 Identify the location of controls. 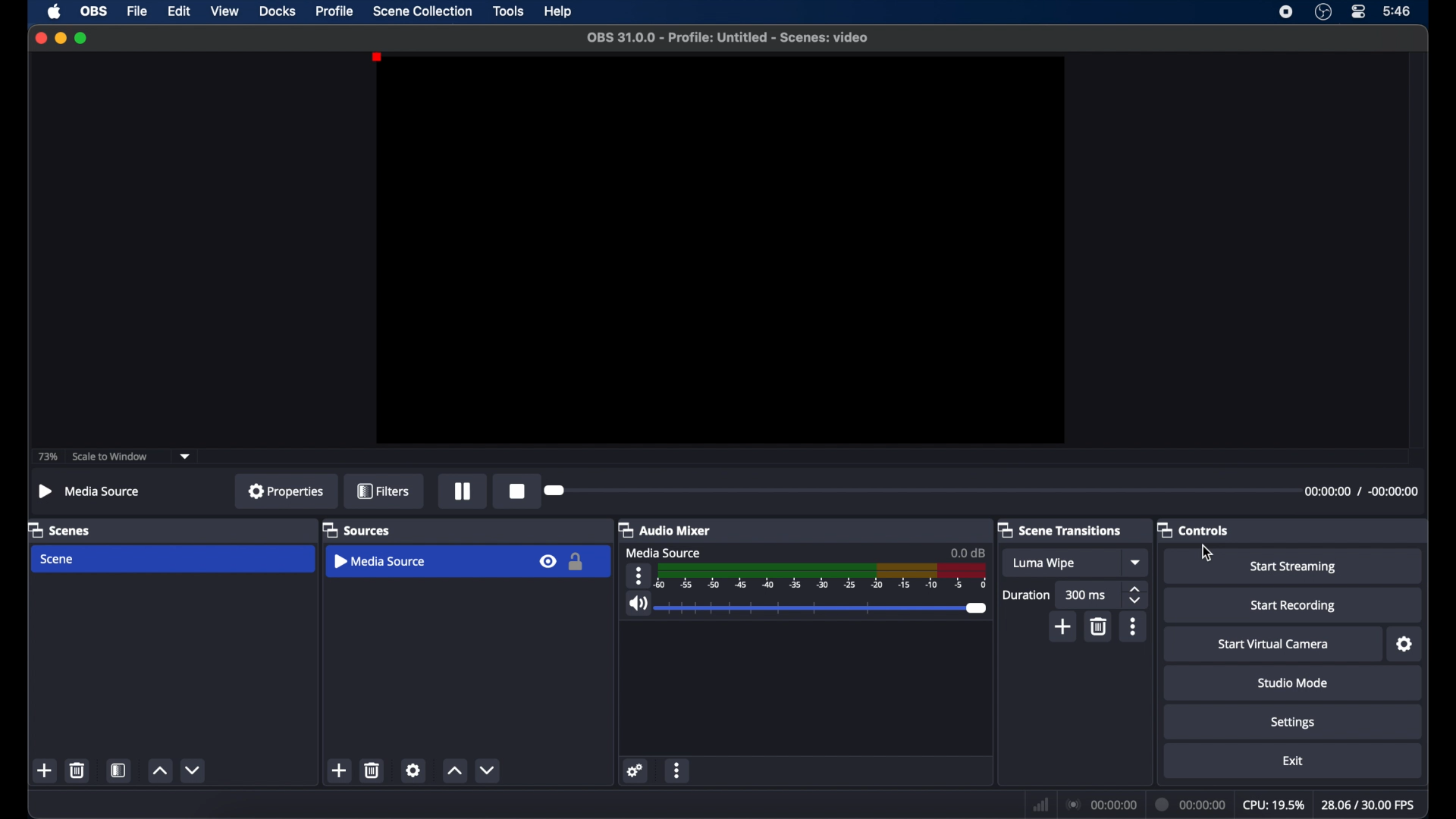
(1196, 530).